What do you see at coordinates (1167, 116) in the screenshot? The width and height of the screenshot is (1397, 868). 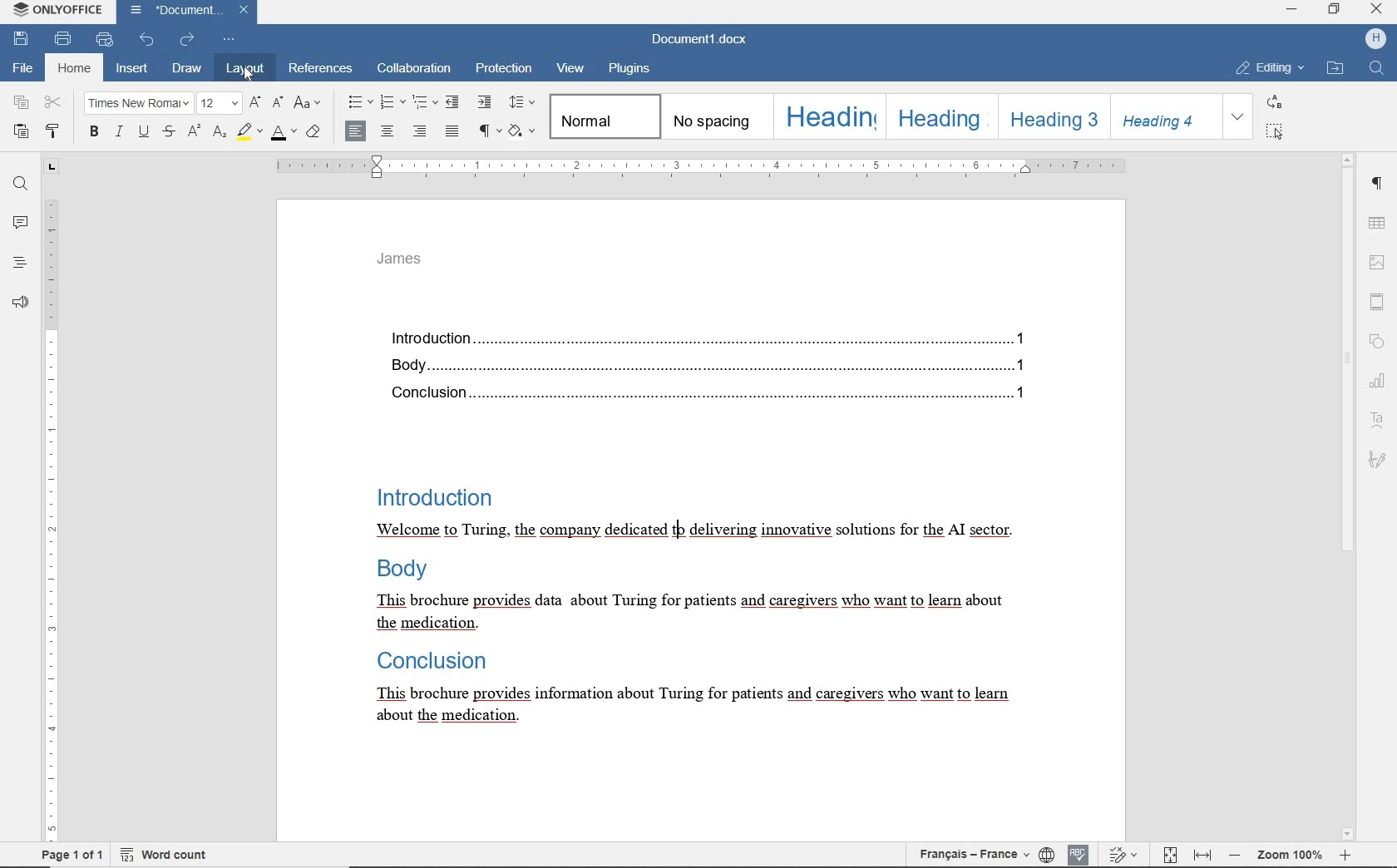 I see `Heading 4` at bounding box center [1167, 116].